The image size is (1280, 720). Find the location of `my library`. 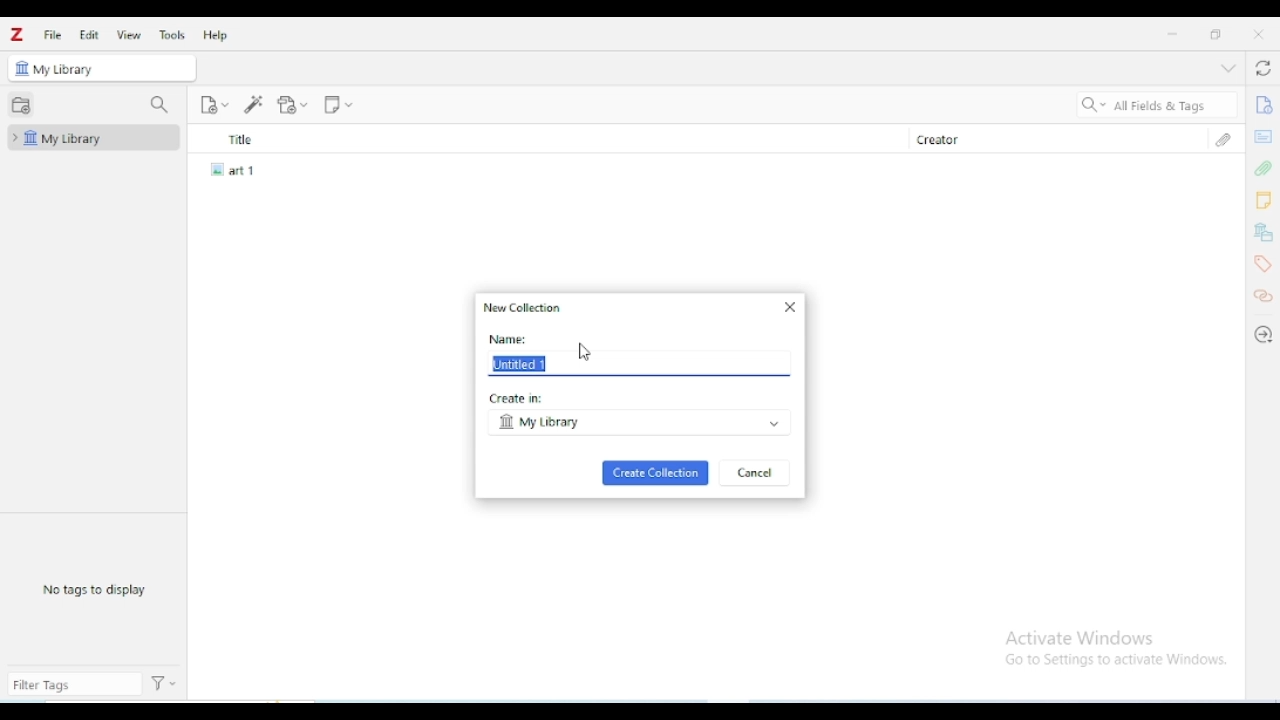

my library is located at coordinates (94, 138).